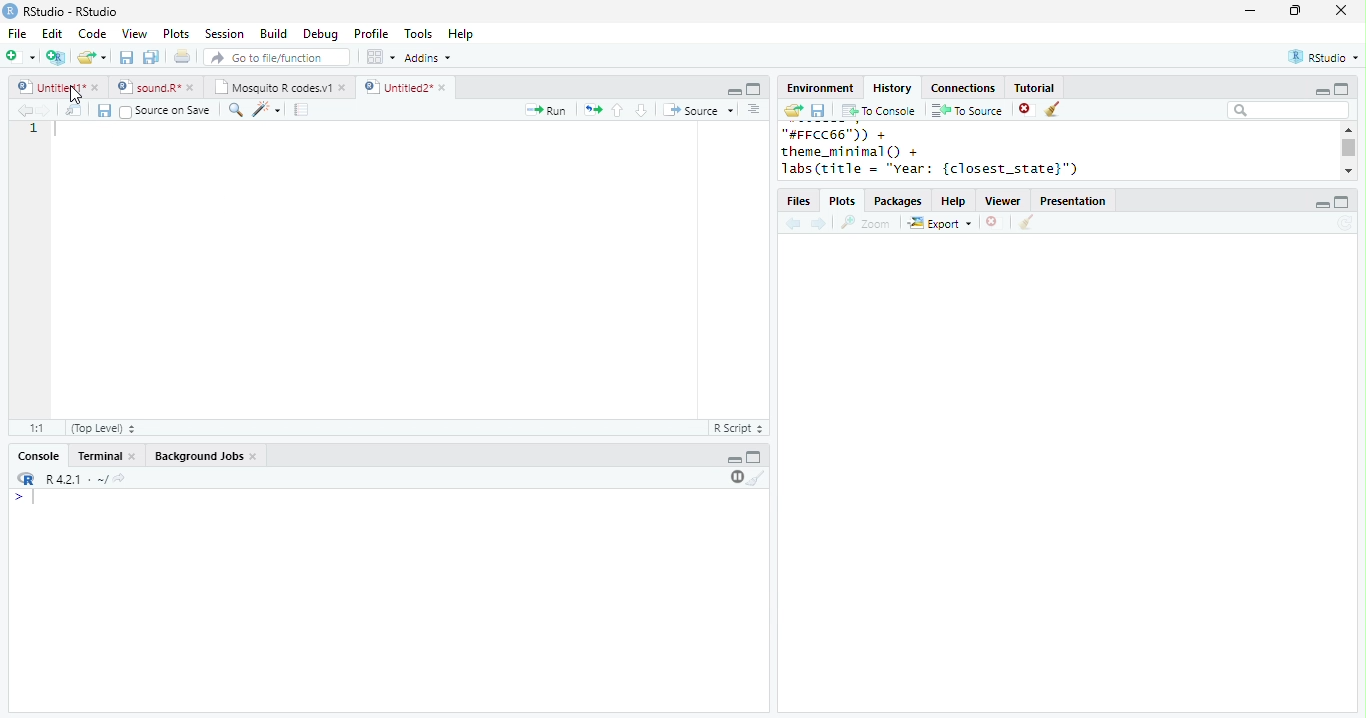 The image size is (1366, 718). Describe the element at coordinates (734, 90) in the screenshot. I see `minimize` at that location.